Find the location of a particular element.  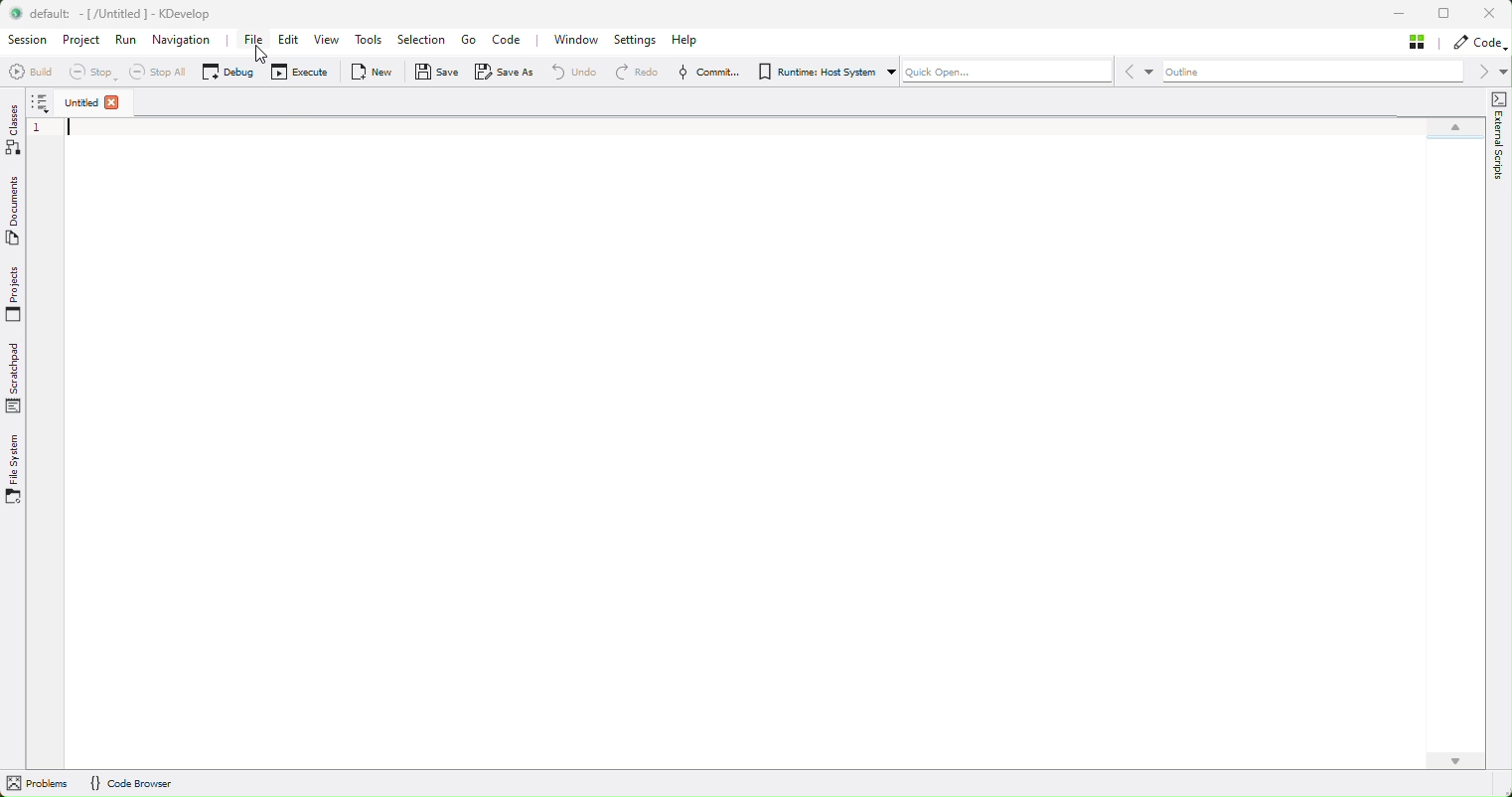

minimise is located at coordinates (1404, 16).